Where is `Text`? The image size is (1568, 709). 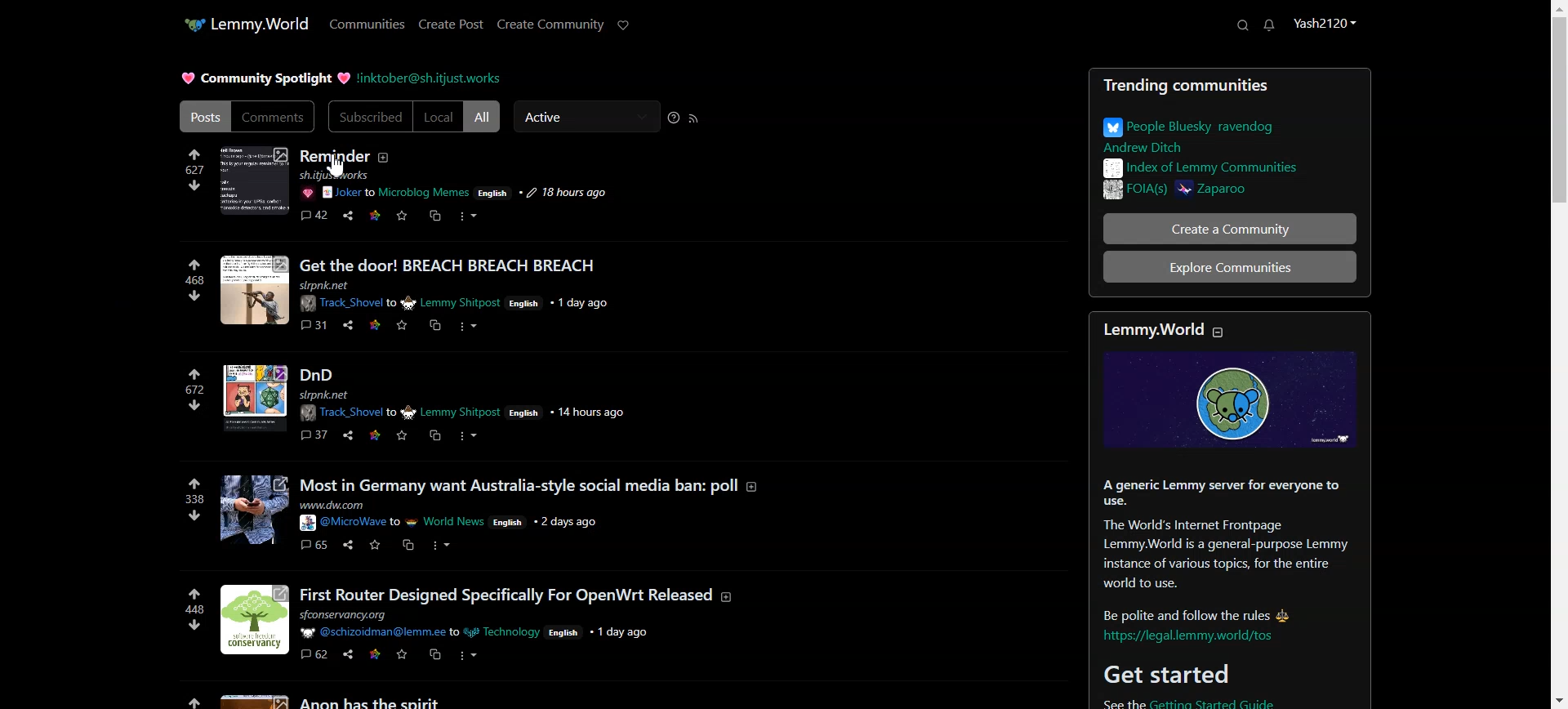
Text is located at coordinates (1229, 511).